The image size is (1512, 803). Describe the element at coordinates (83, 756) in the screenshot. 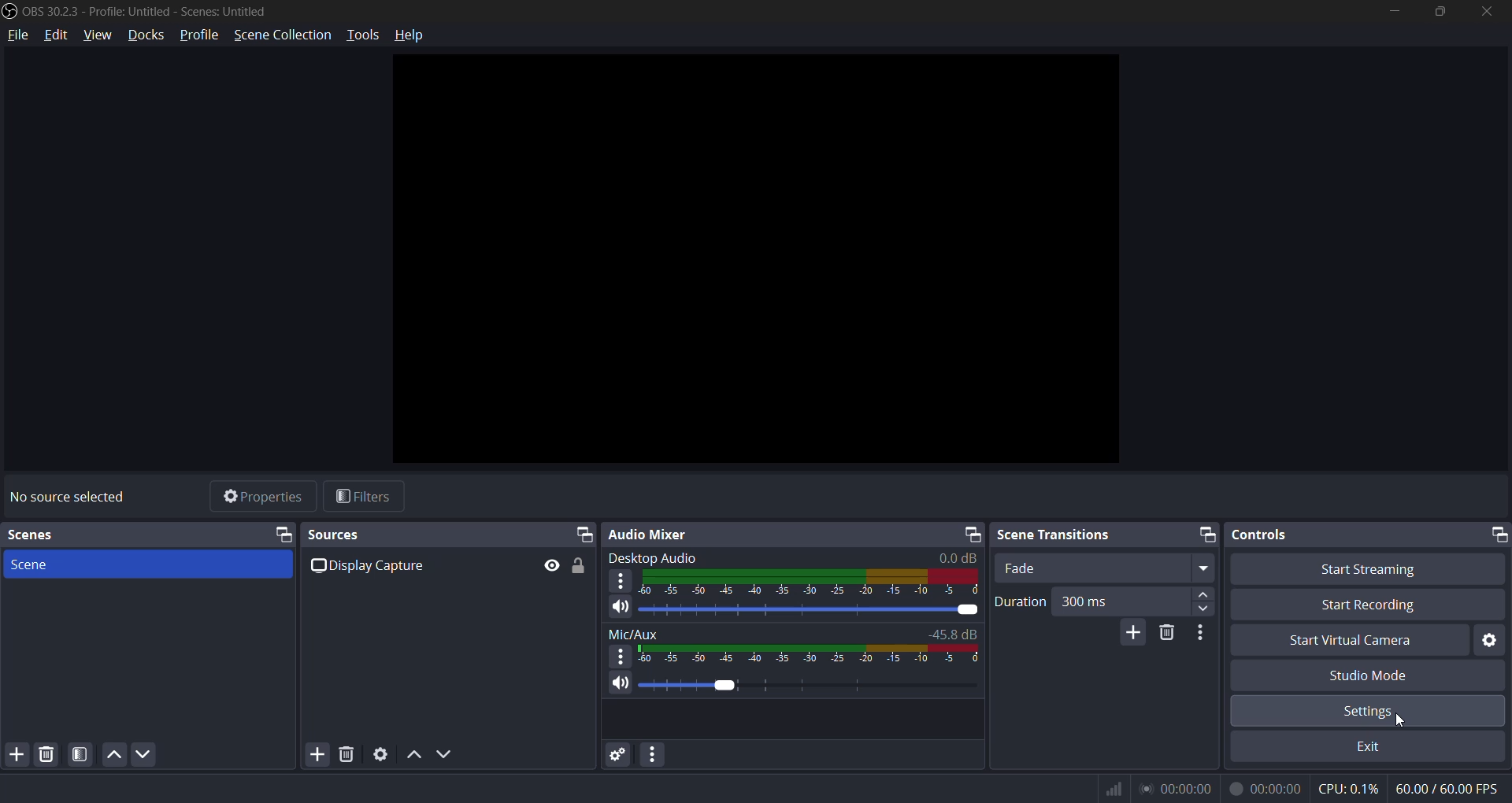

I see `open scene filters` at that location.